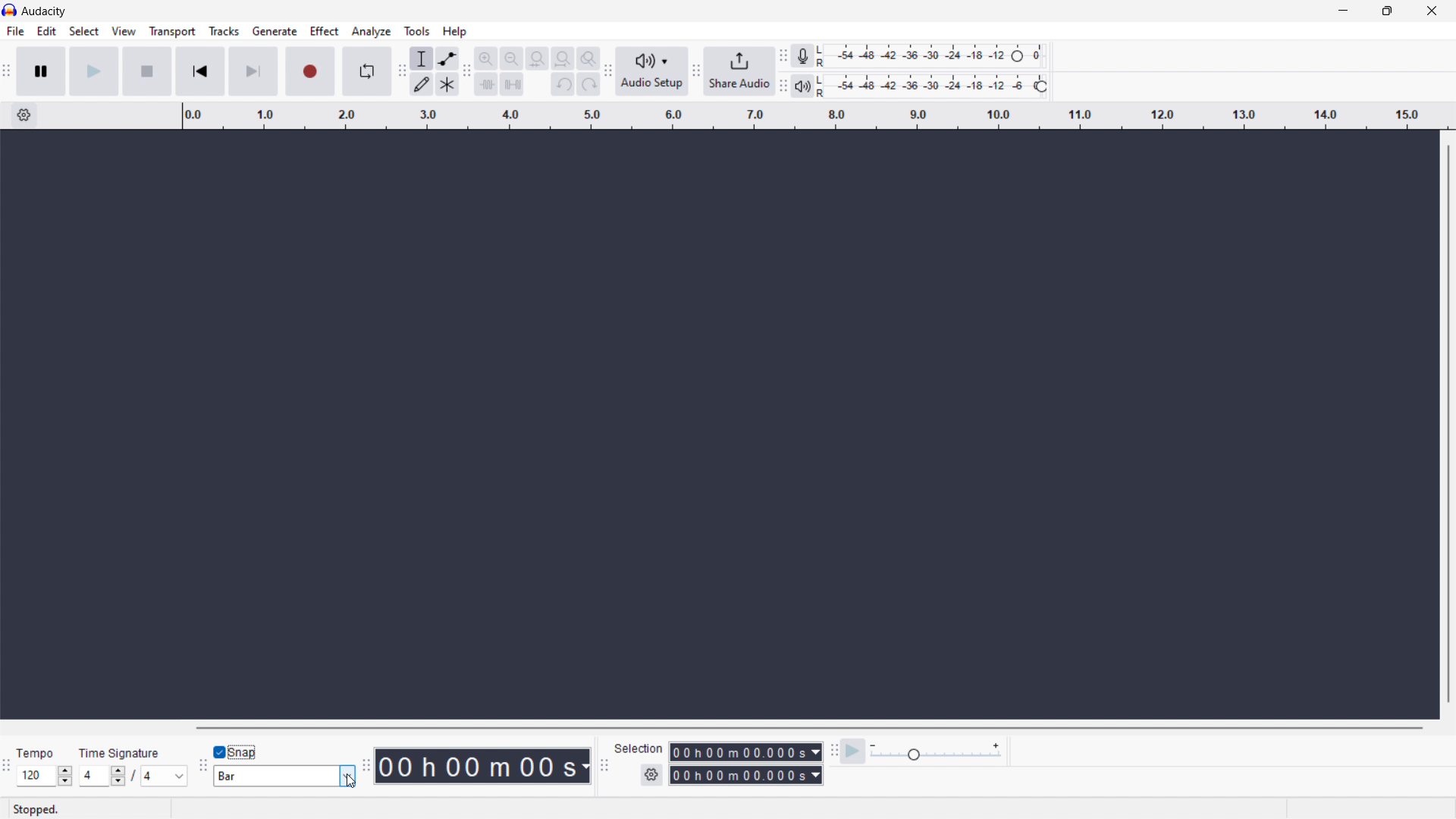 This screenshot has width=1456, height=819. Describe the element at coordinates (172, 32) in the screenshot. I see `transport` at that location.